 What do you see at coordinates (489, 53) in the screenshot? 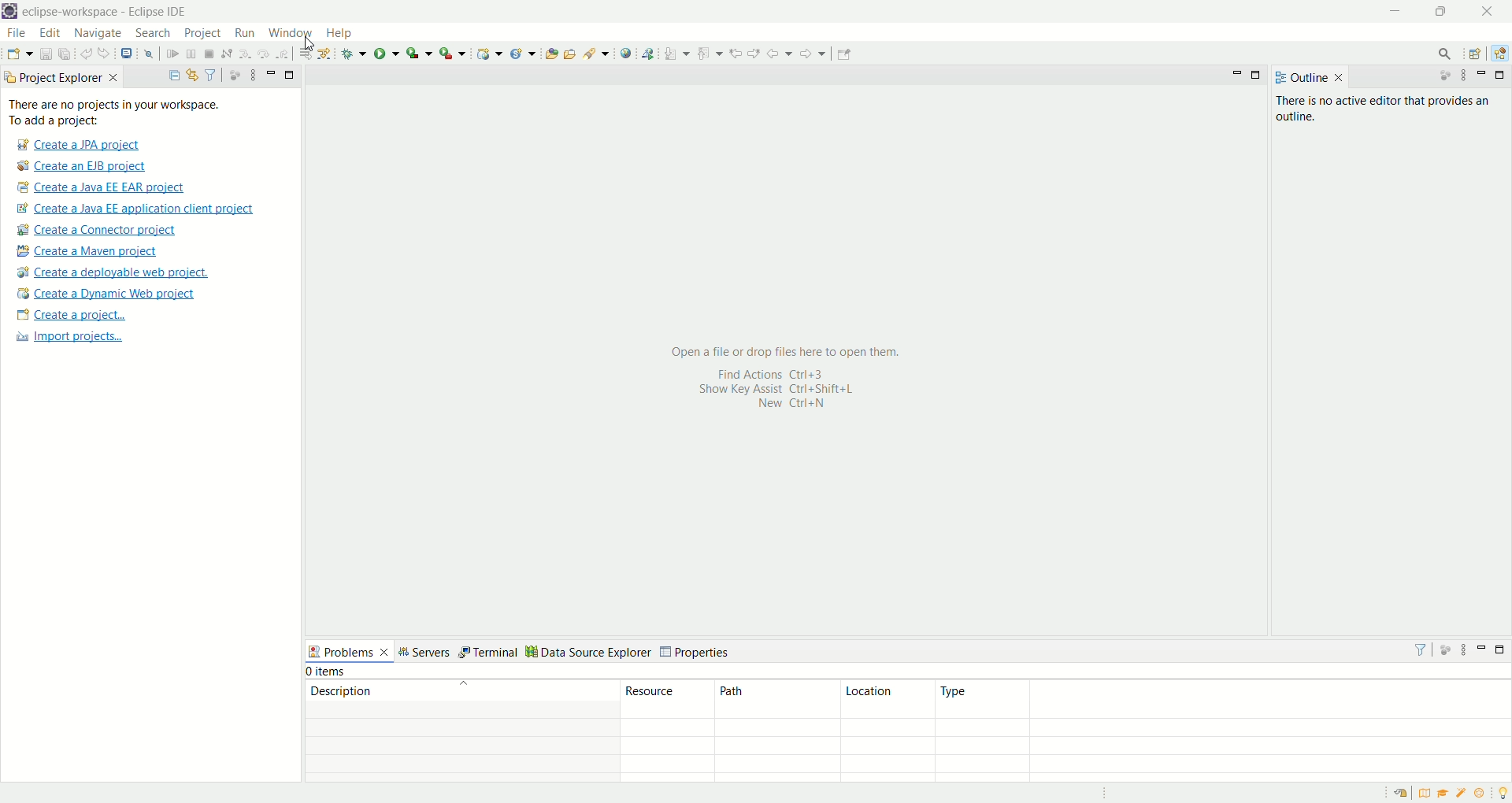
I see `create a dynamic web project` at bounding box center [489, 53].